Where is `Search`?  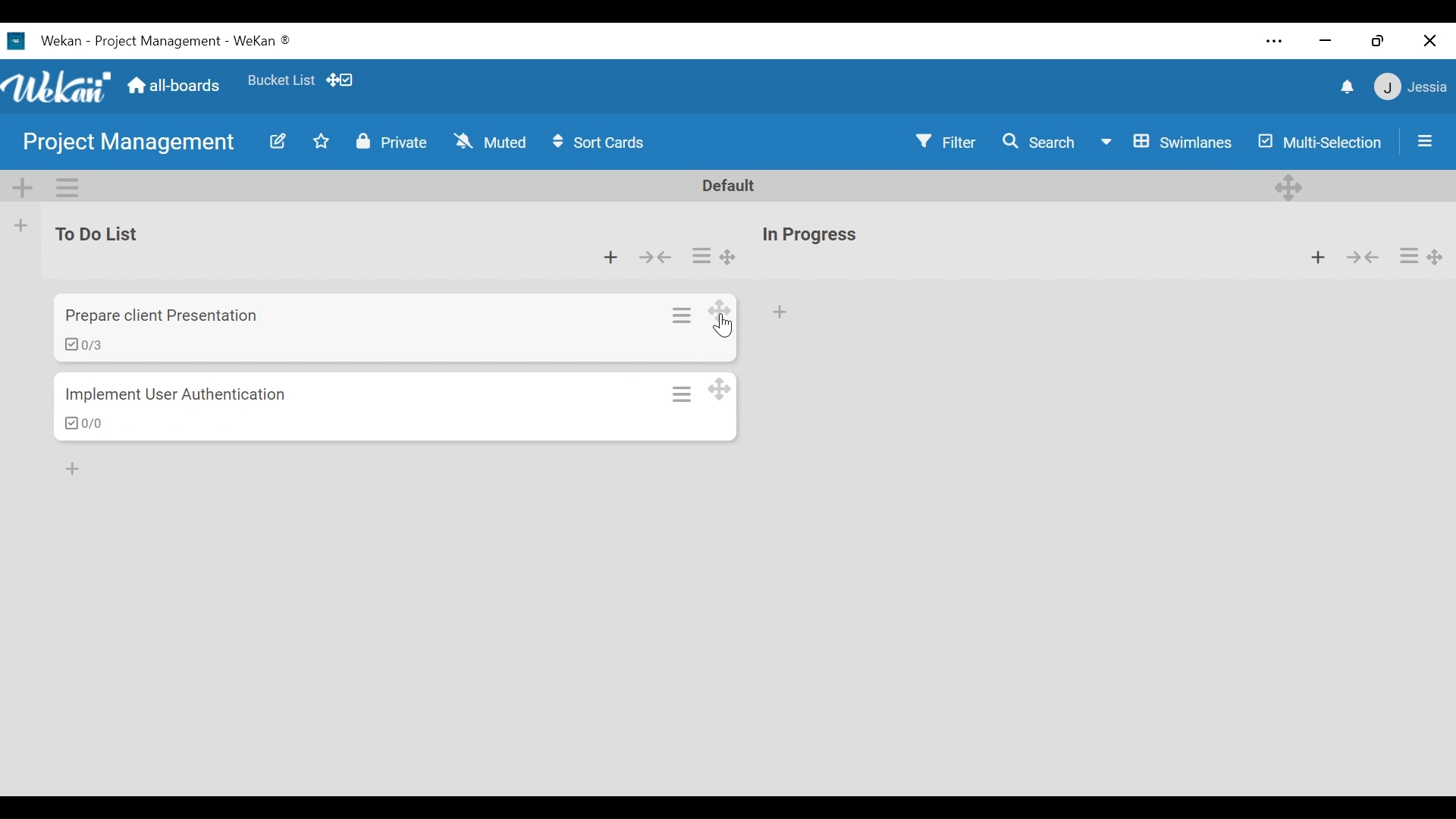
Search is located at coordinates (1041, 144).